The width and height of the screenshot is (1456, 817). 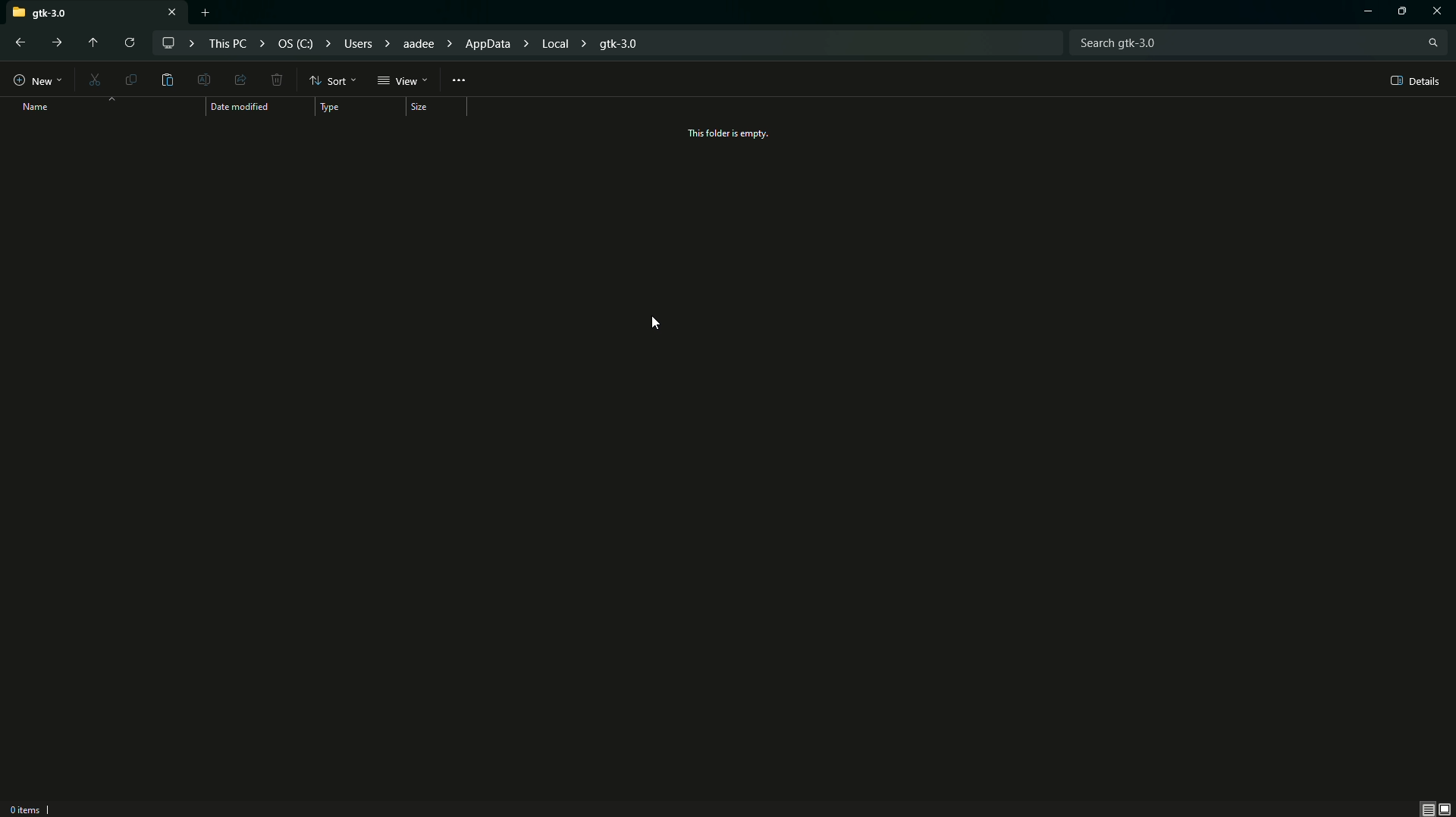 I want to click on Edit, so click(x=206, y=79).